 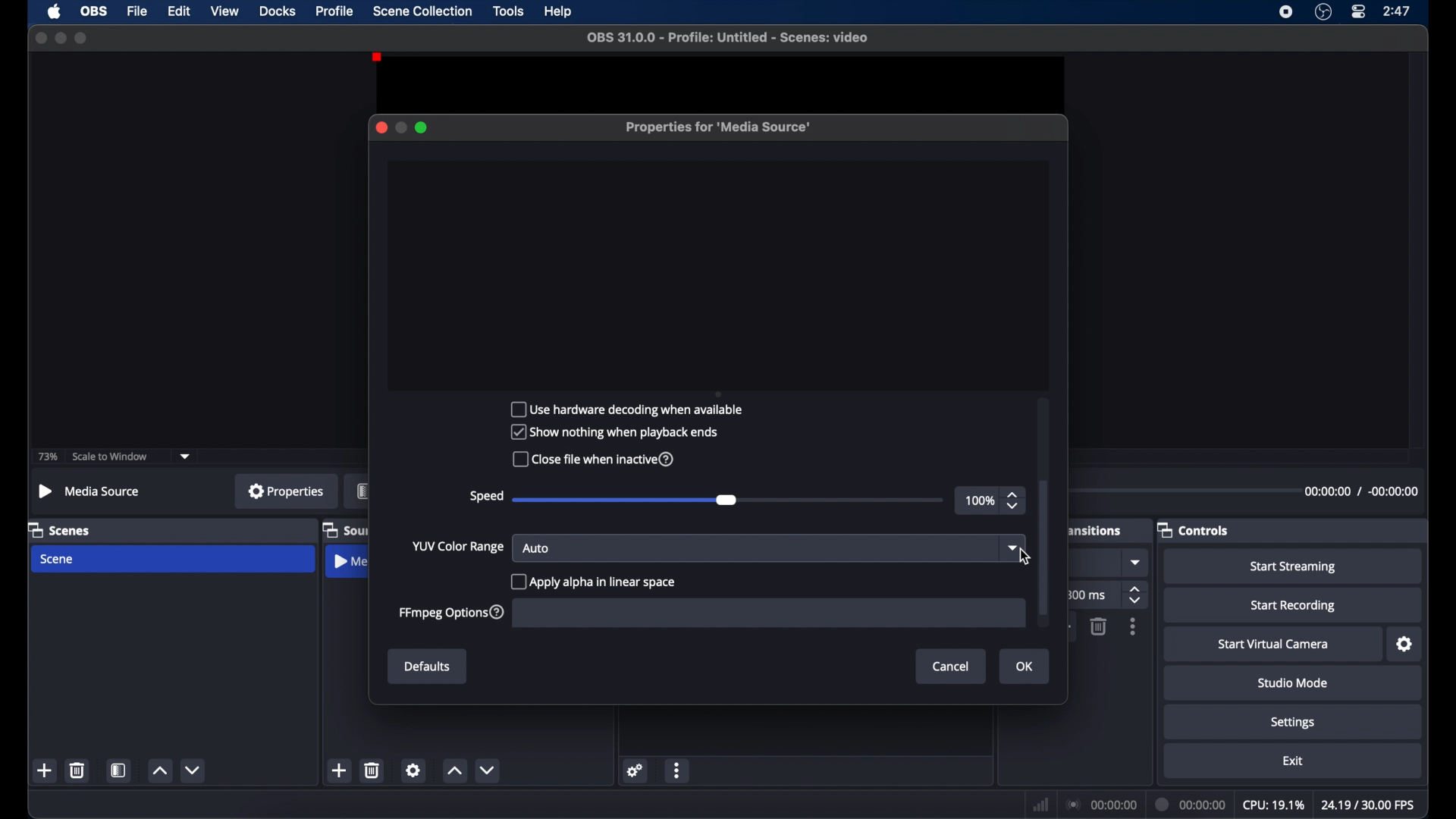 What do you see at coordinates (413, 770) in the screenshot?
I see `settings` at bounding box center [413, 770].